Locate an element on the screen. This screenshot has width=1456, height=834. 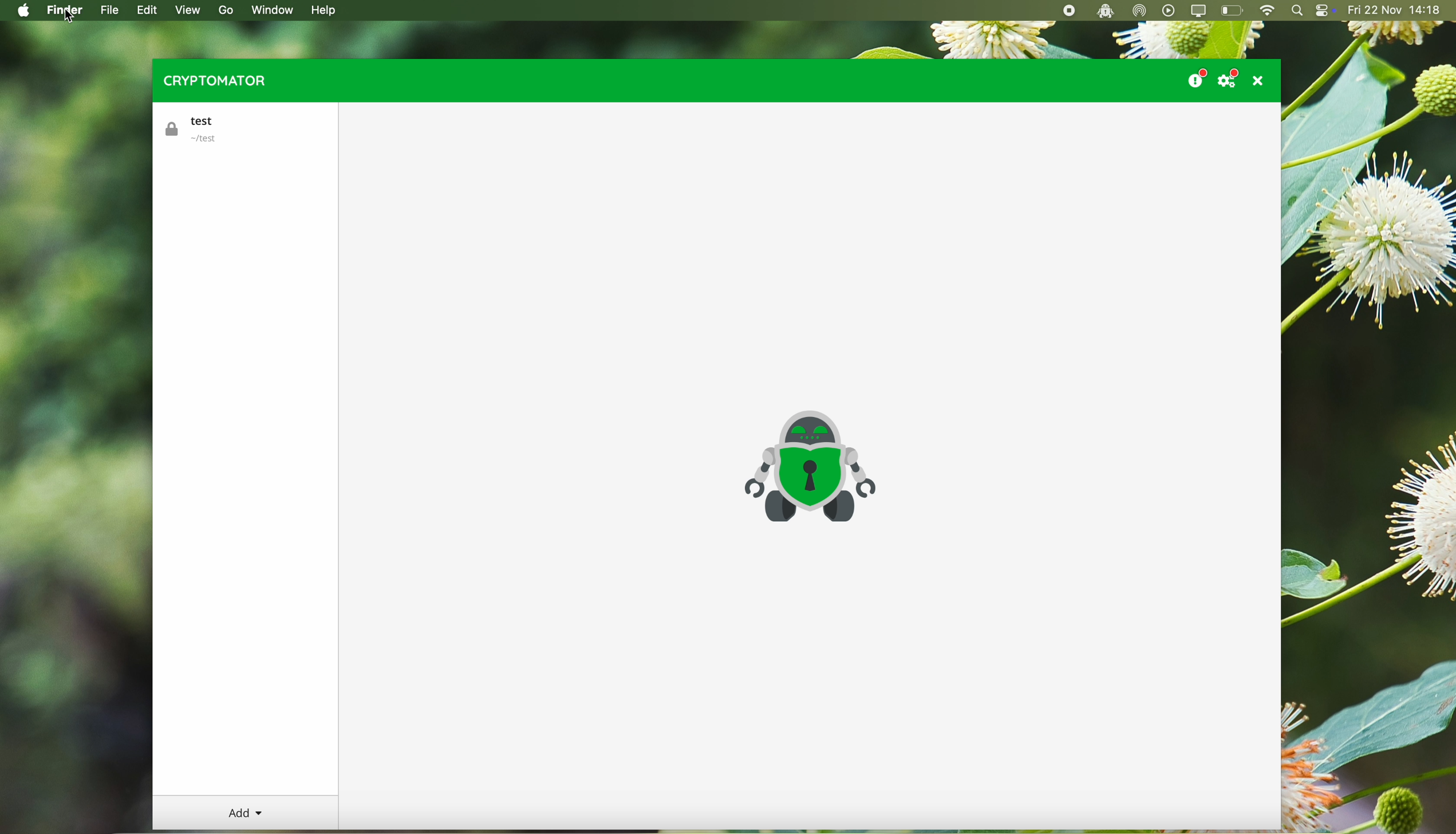
view is located at coordinates (187, 10).